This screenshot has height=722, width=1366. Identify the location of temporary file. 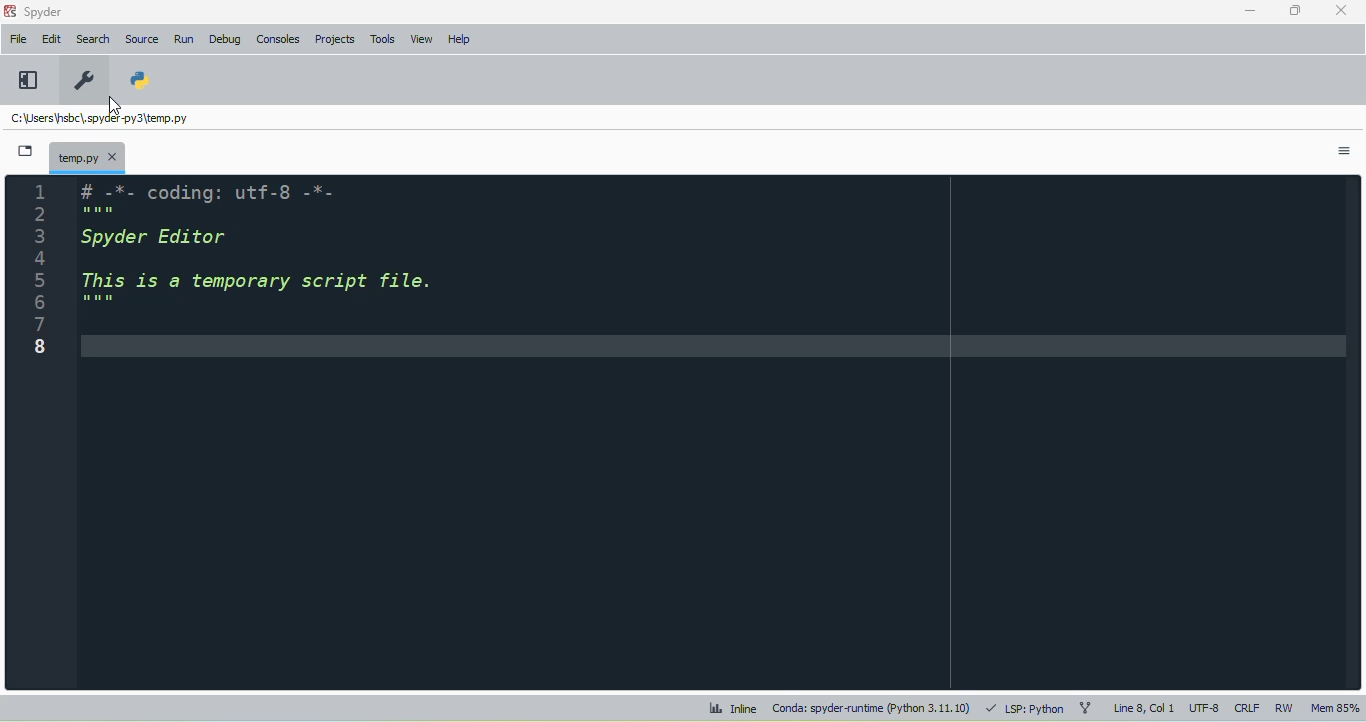
(101, 117).